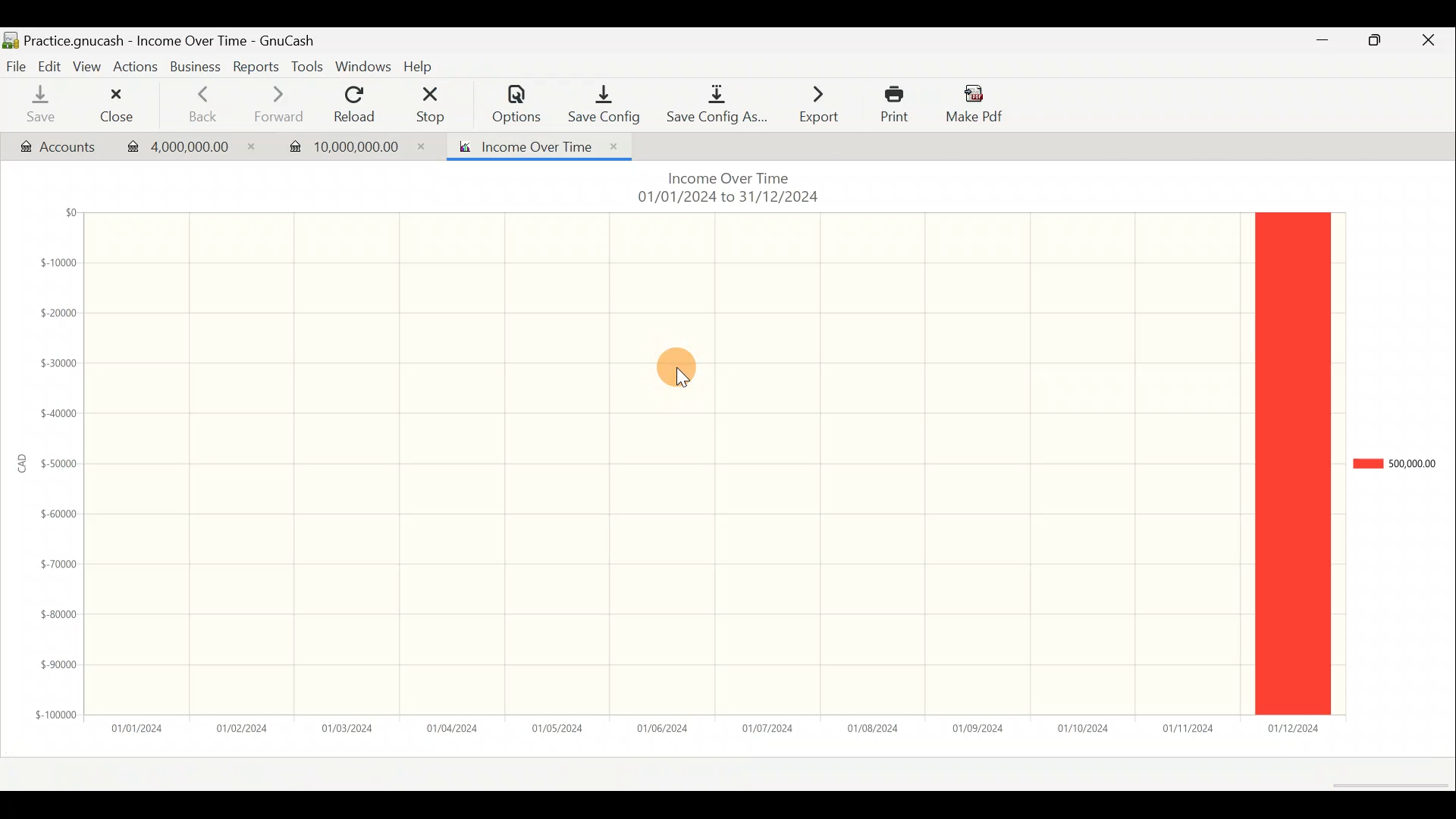 This screenshot has height=819, width=1456. I want to click on Back, so click(202, 104).